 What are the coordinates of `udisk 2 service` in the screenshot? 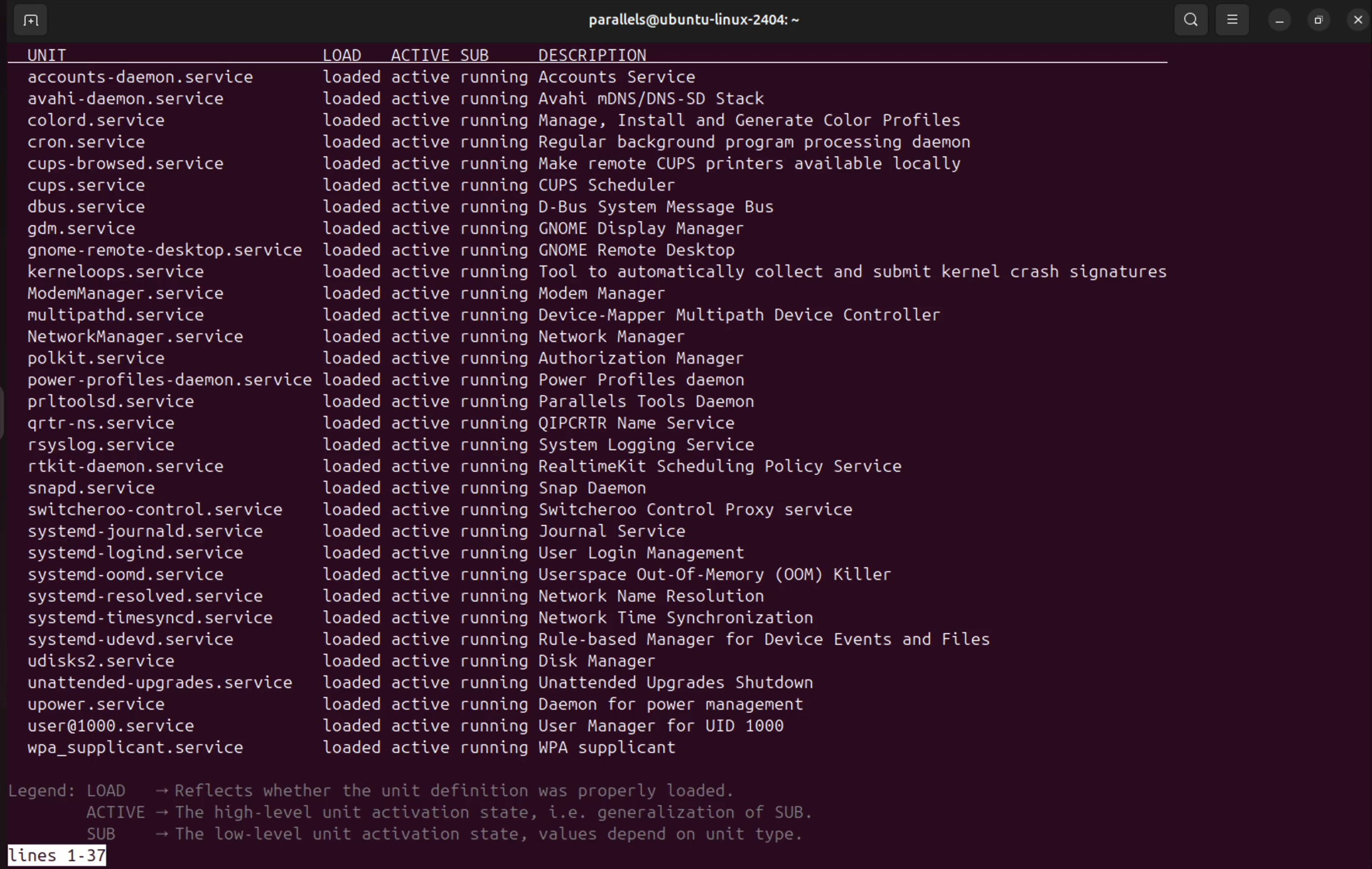 It's located at (129, 662).